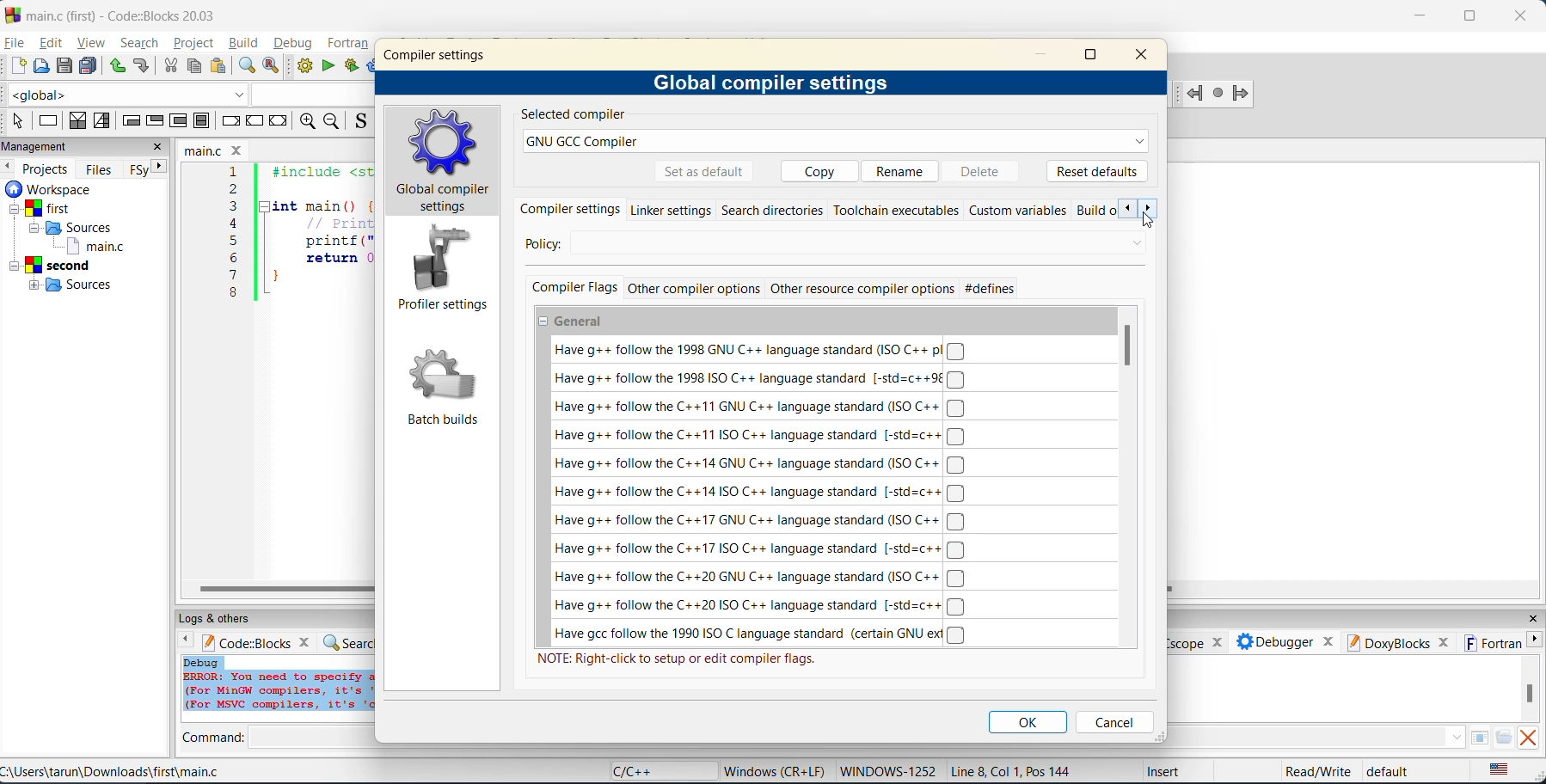  What do you see at coordinates (445, 162) in the screenshot?
I see `global compiler settings` at bounding box center [445, 162].